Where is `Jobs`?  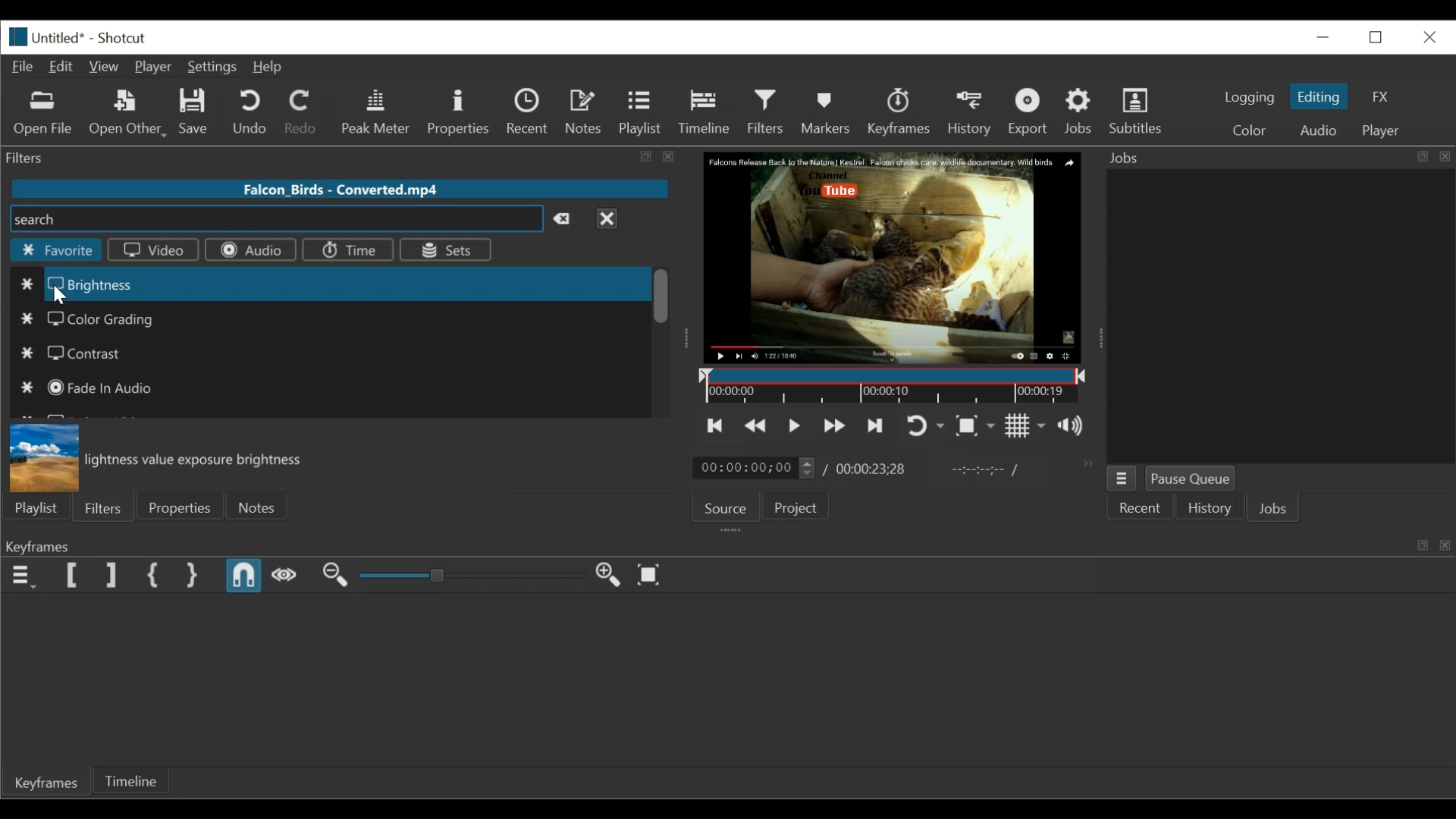
Jobs is located at coordinates (1079, 113).